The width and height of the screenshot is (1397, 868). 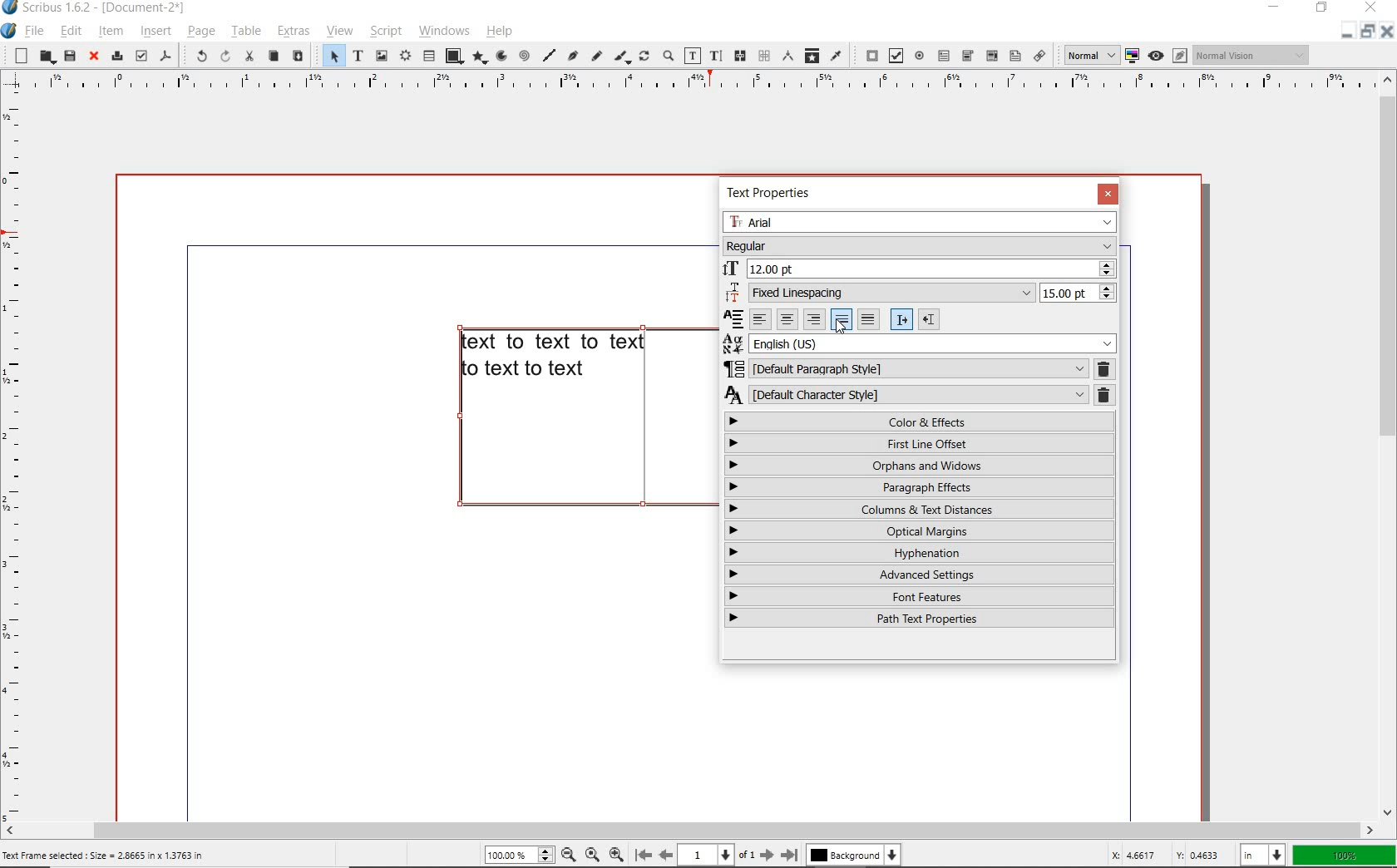 What do you see at coordinates (644, 855) in the screenshot?
I see `go to first page` at bounding box center [644, 855].